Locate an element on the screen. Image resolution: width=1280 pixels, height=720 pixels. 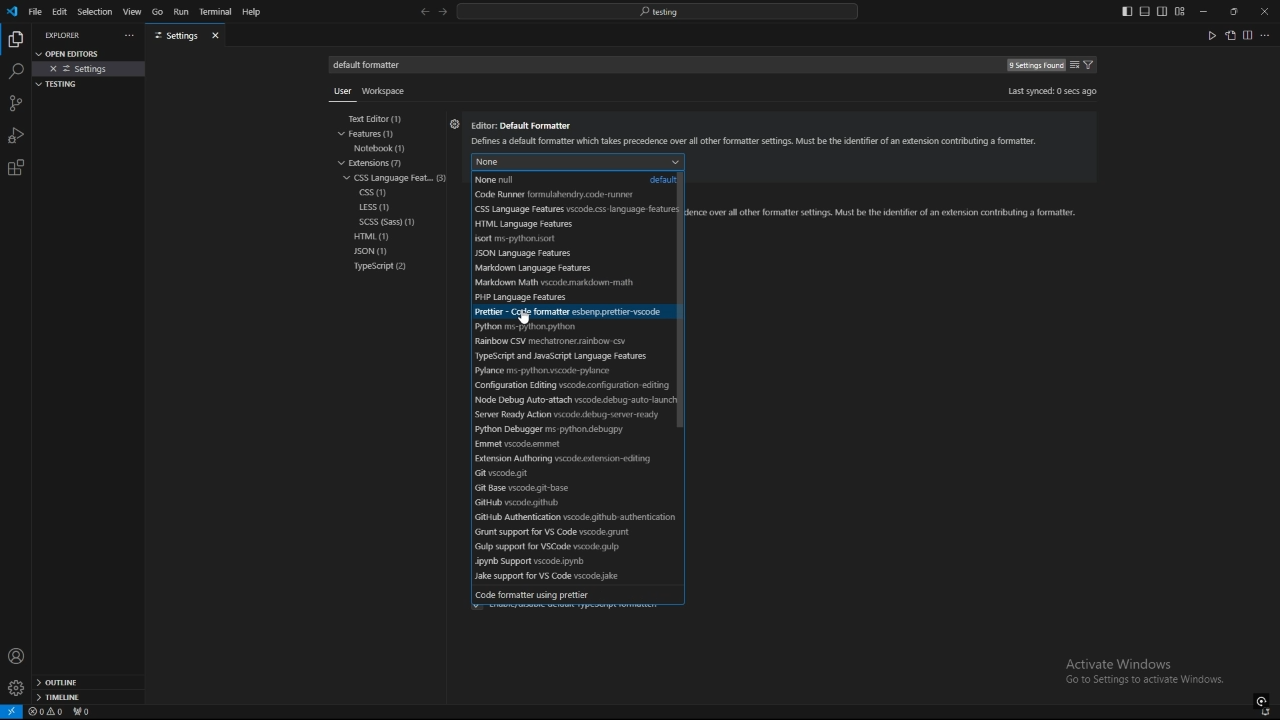
typescript is located at coordinates (381, 267).